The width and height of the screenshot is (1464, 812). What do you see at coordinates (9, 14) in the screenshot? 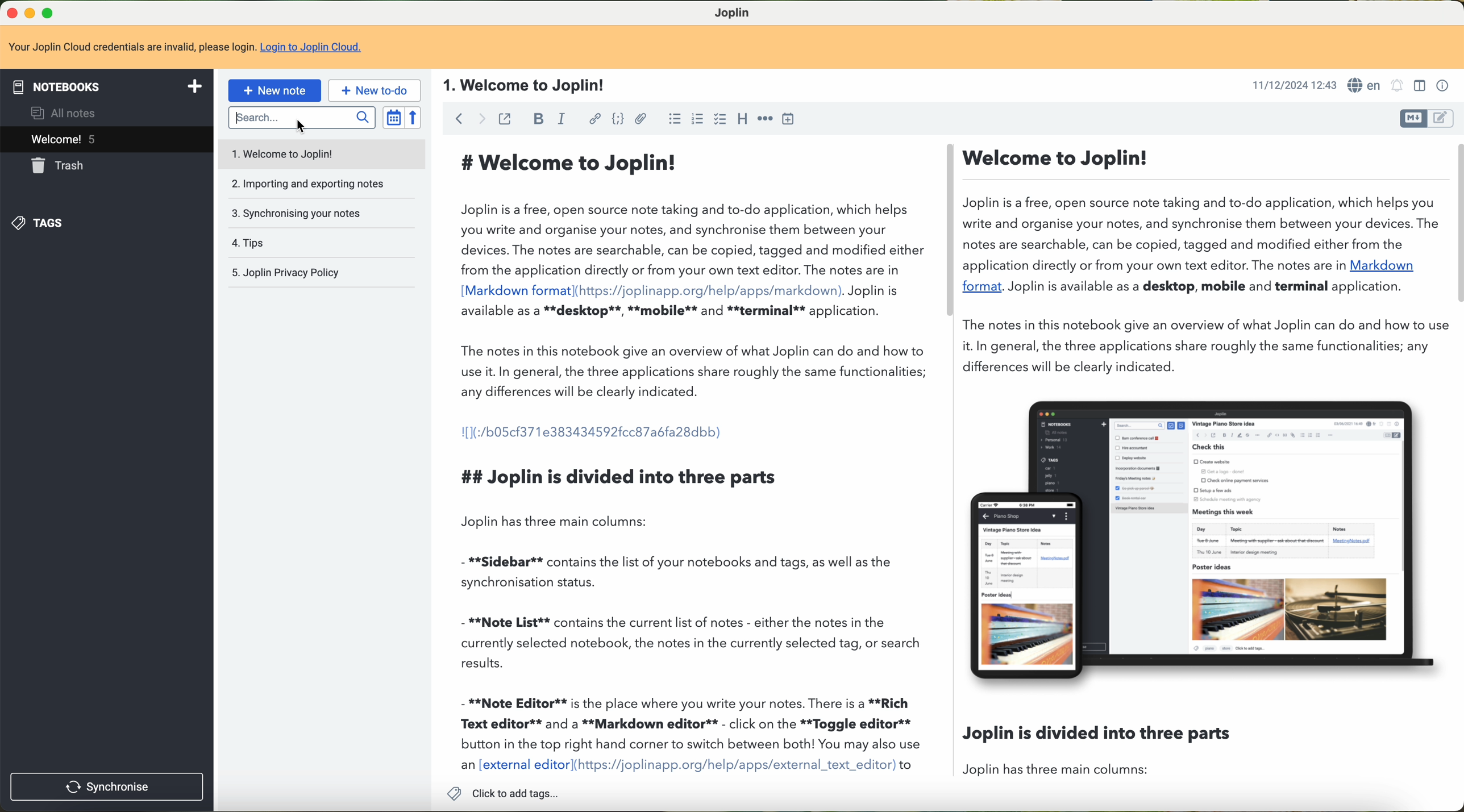
I see `close Joplin` at bounding box center [9, 14].